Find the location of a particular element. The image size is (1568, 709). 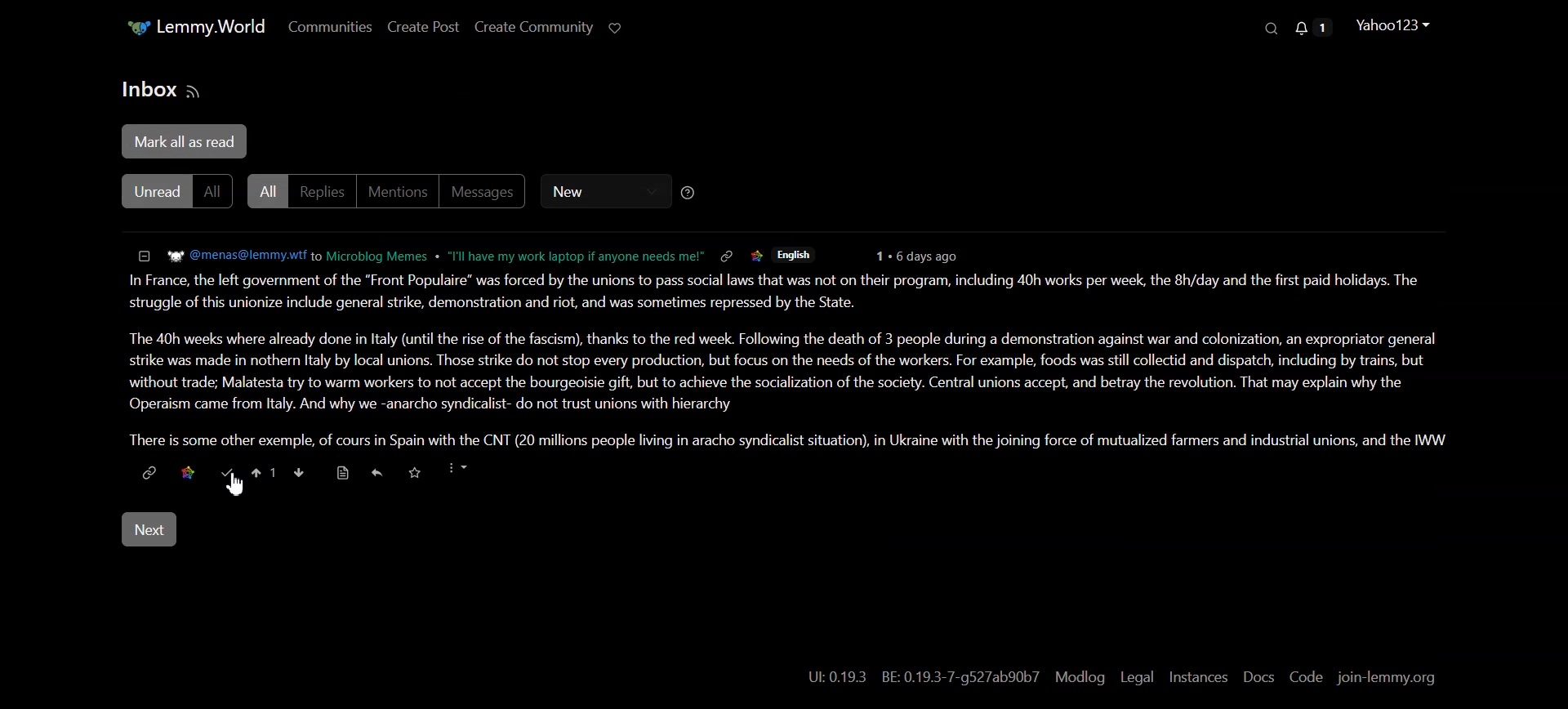

New is located at coordinates (605, 190).